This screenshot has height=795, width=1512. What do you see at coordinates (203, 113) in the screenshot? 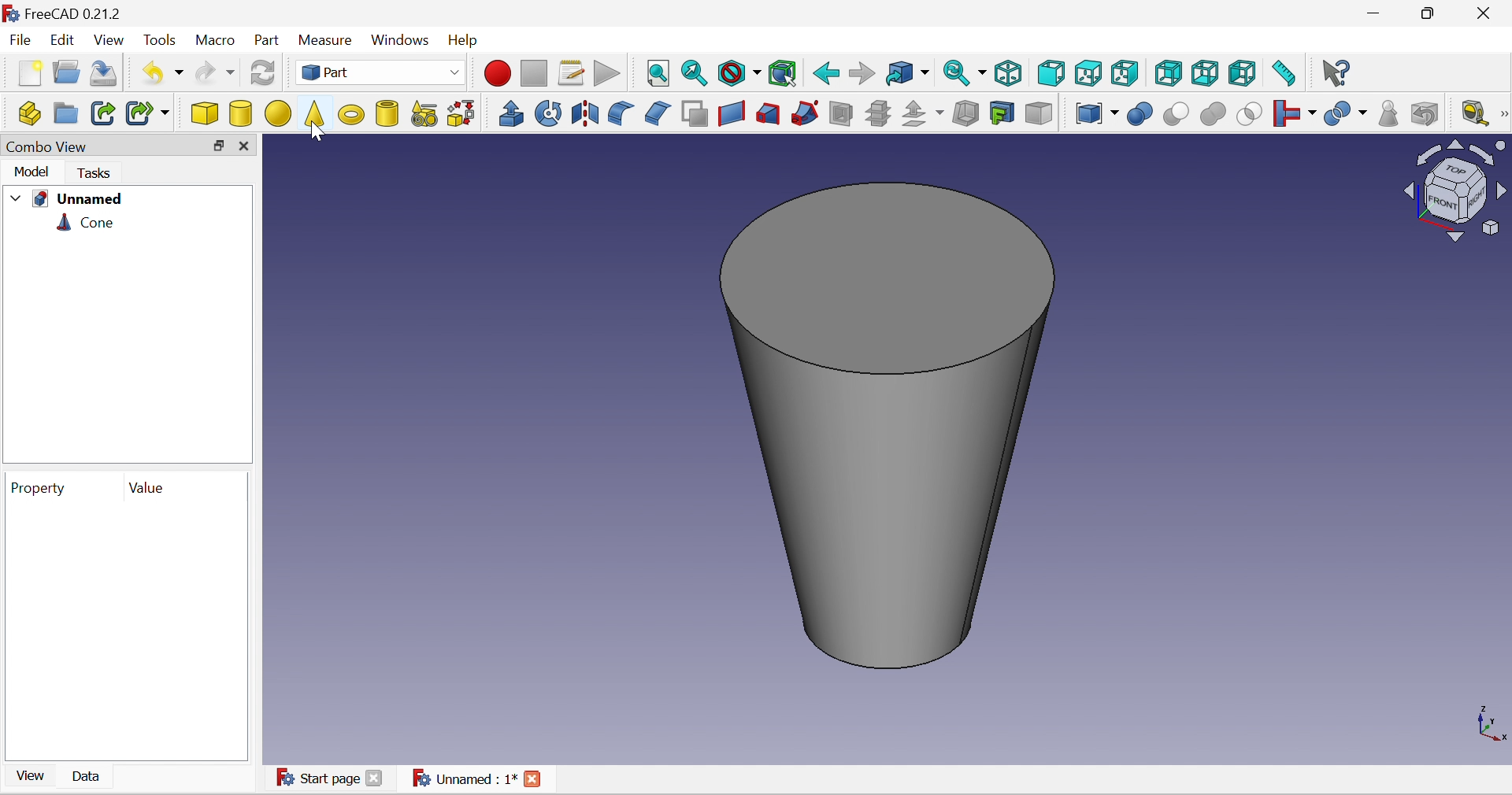
I see `Cube` at bounding box center [203, 113].